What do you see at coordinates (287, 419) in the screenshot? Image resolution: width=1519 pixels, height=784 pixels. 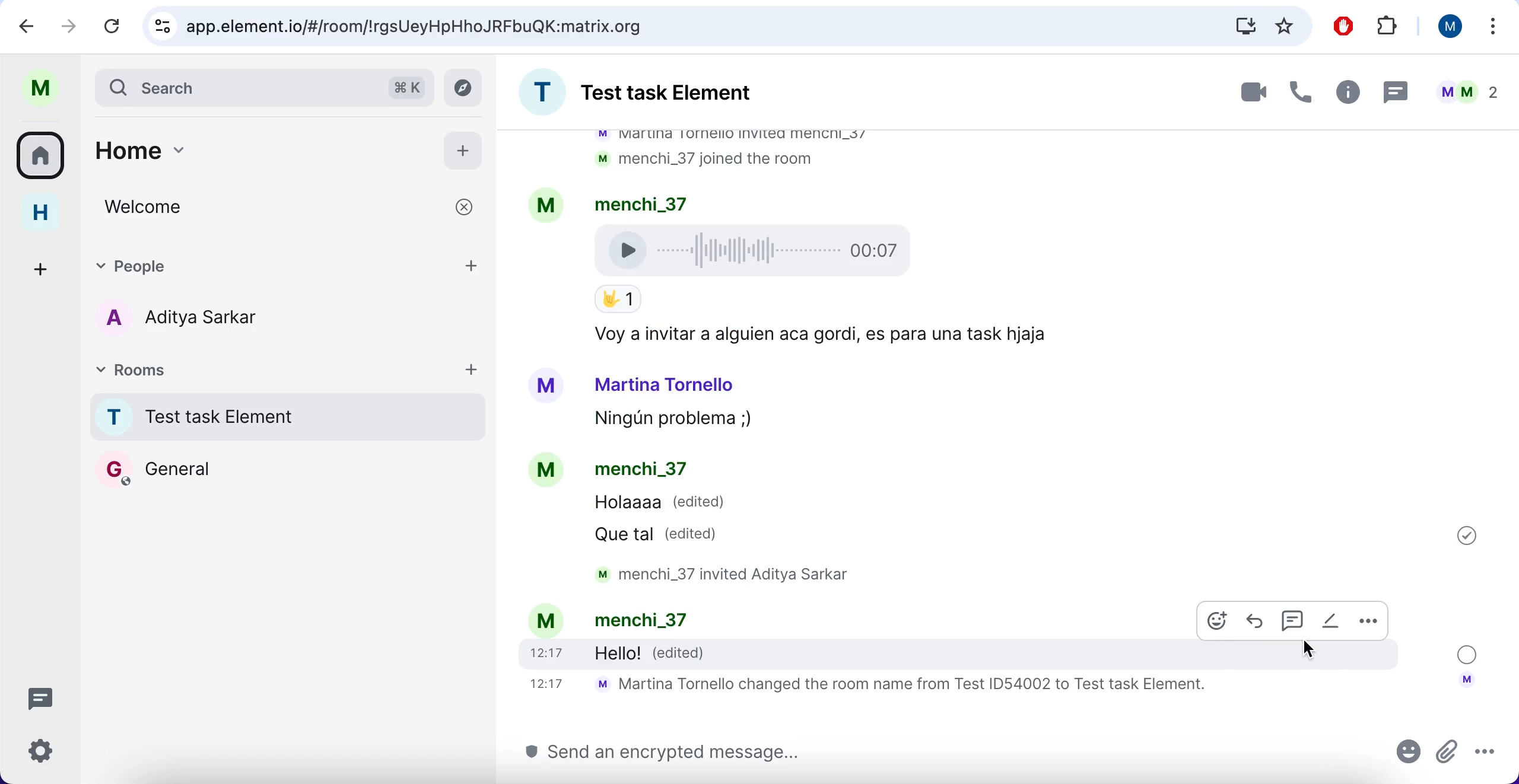 I see `chat room 1` at bounding box center [287, 419].